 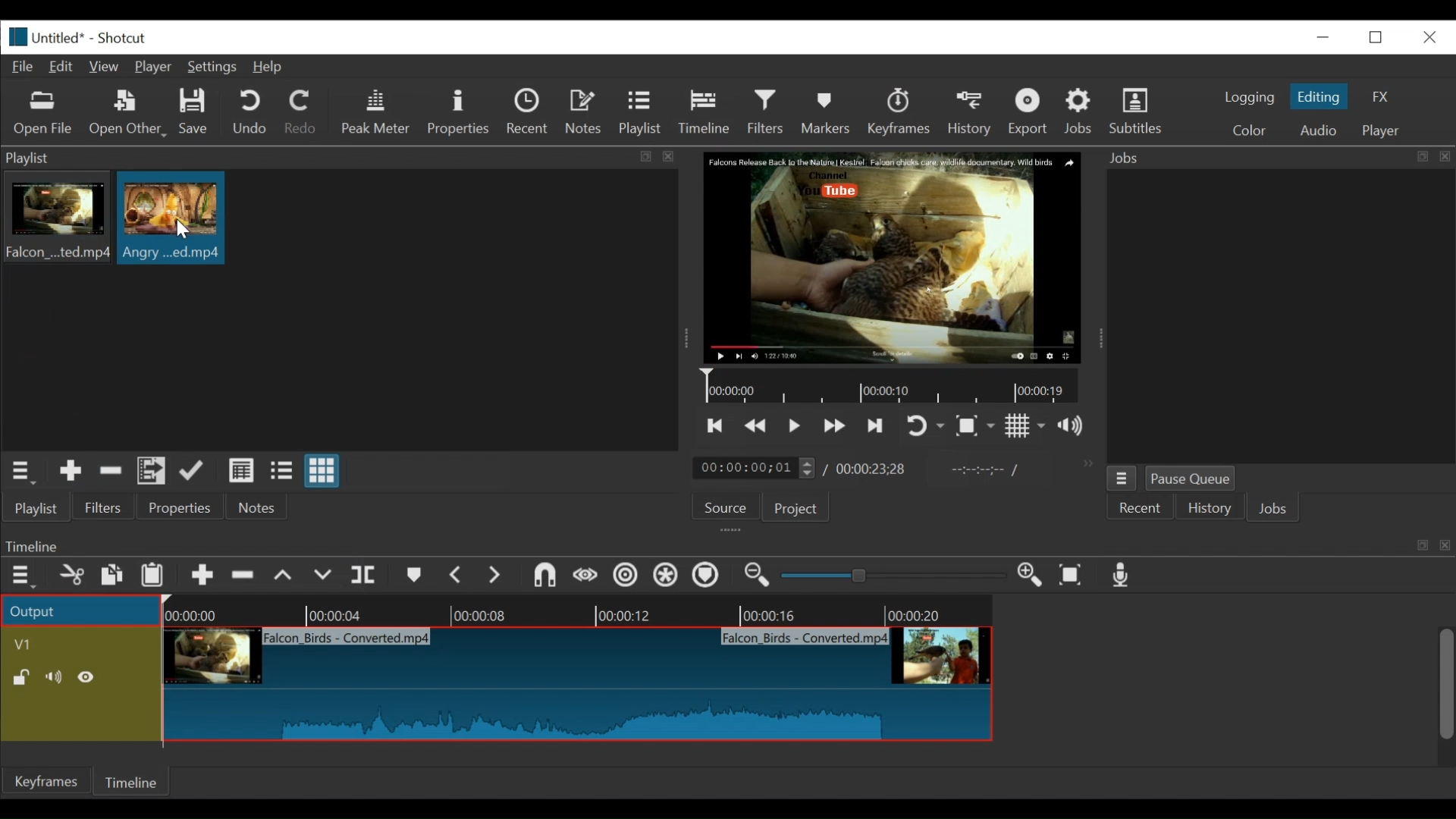 I want to click on Toggle play or pause, so click(x=795, y=425).